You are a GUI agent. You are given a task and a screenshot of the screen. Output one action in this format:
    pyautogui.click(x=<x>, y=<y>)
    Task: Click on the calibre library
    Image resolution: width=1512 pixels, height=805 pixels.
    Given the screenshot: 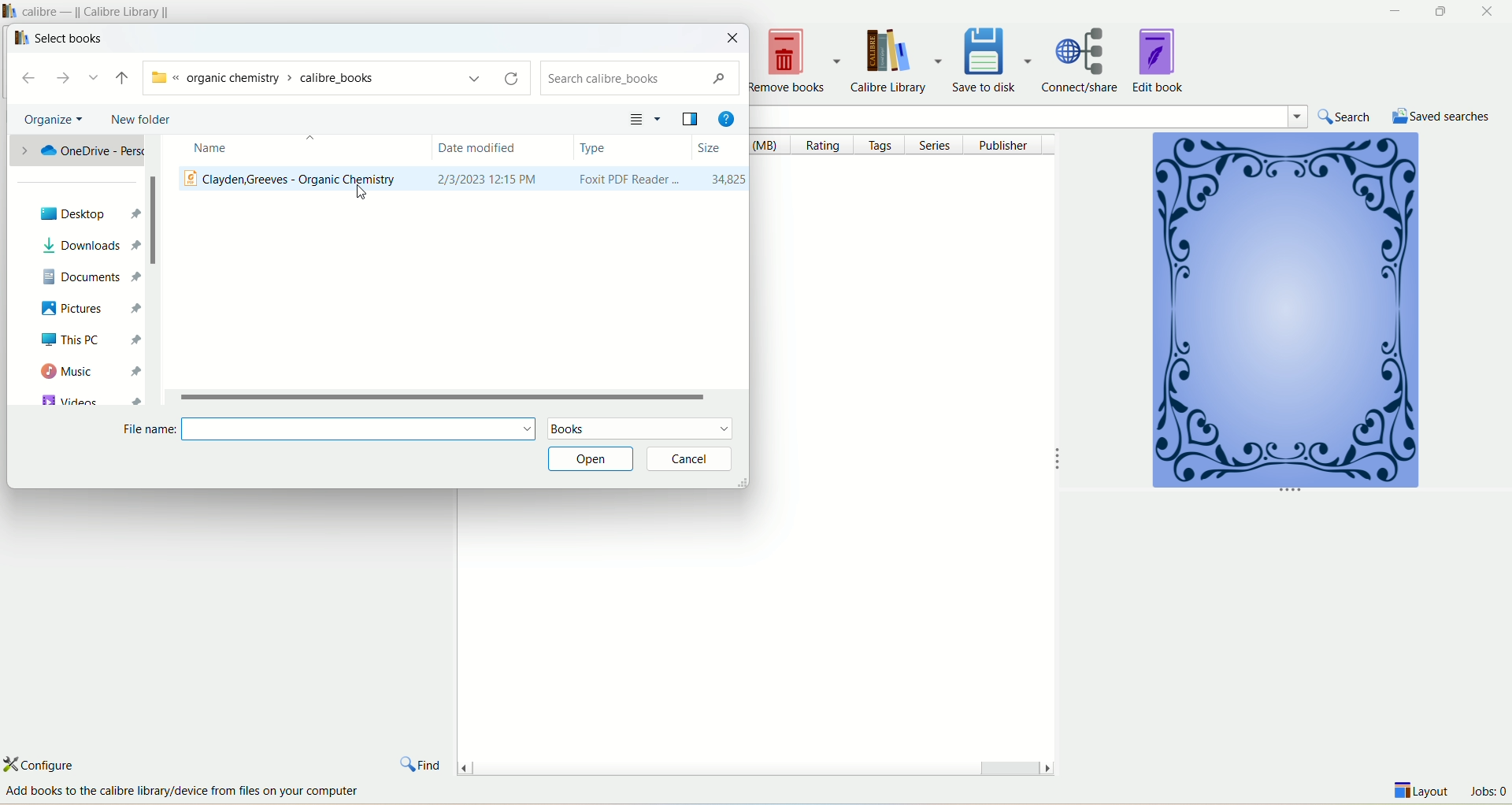 What is the action you would take?
    pyautogui.click(x=900, y=61)
    